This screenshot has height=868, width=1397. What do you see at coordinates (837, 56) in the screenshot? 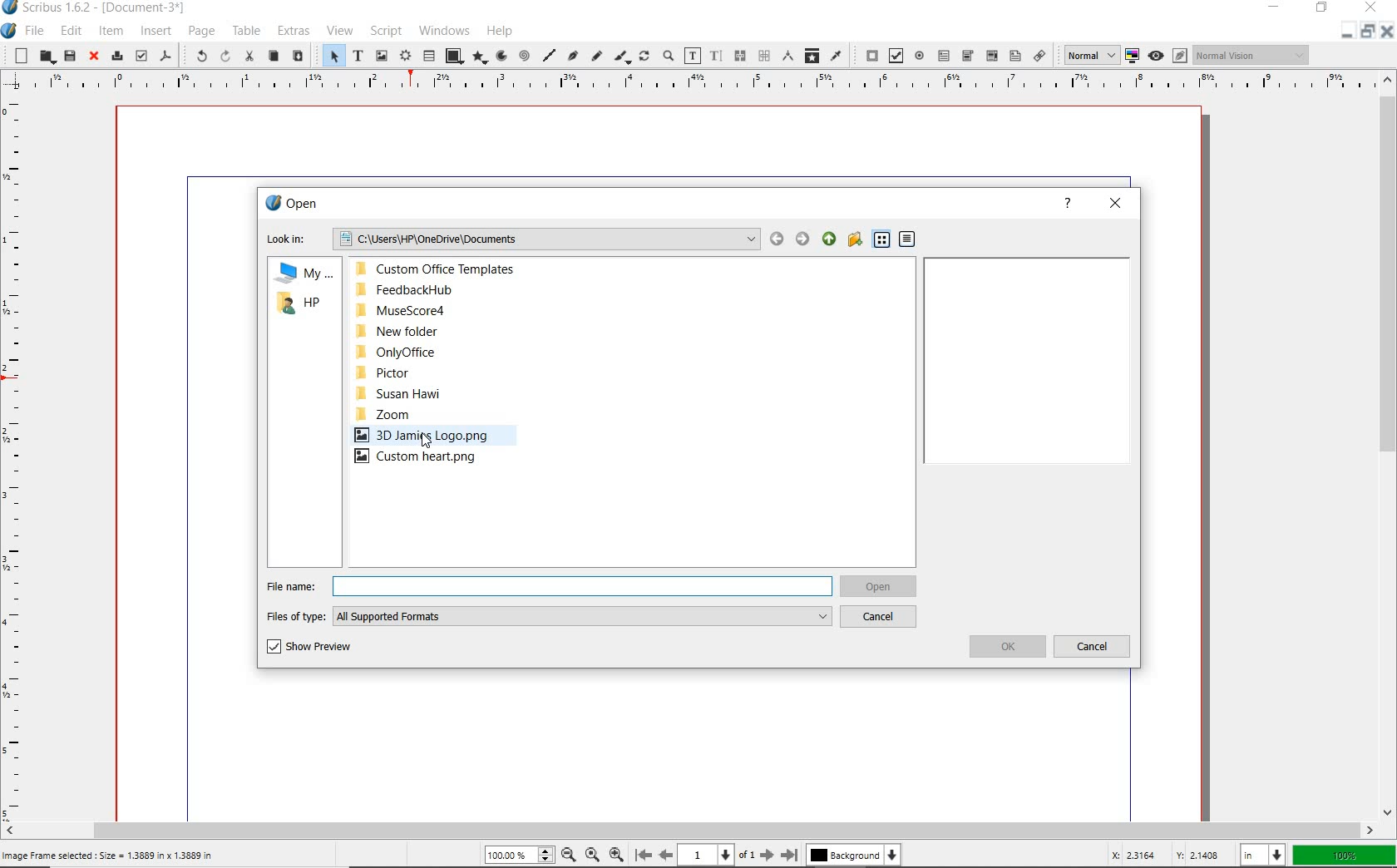
I see `eye dropper` at bounding box center [837, 56].